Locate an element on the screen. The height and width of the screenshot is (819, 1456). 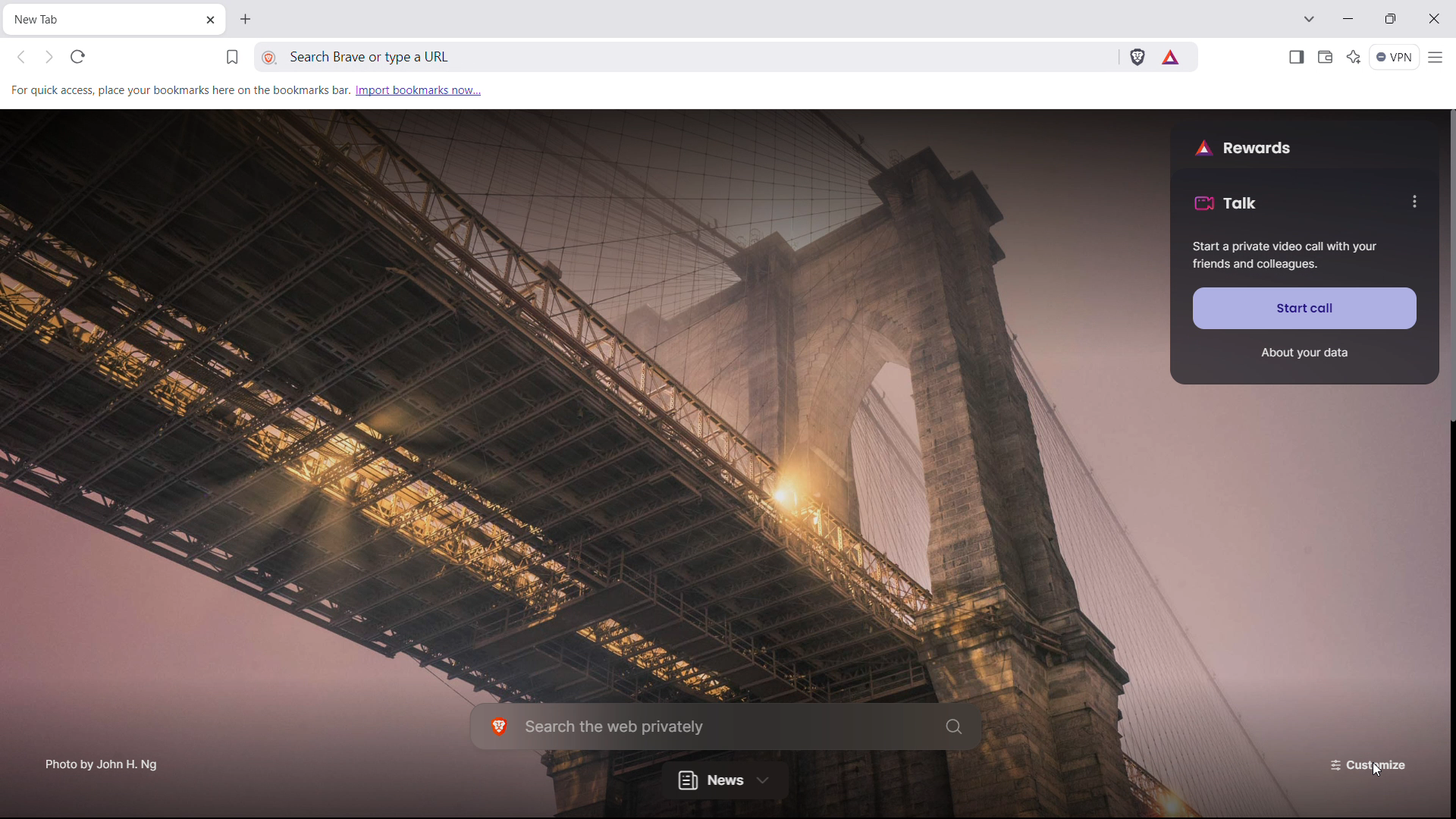
vpn is located at coordinates (1395, 58).